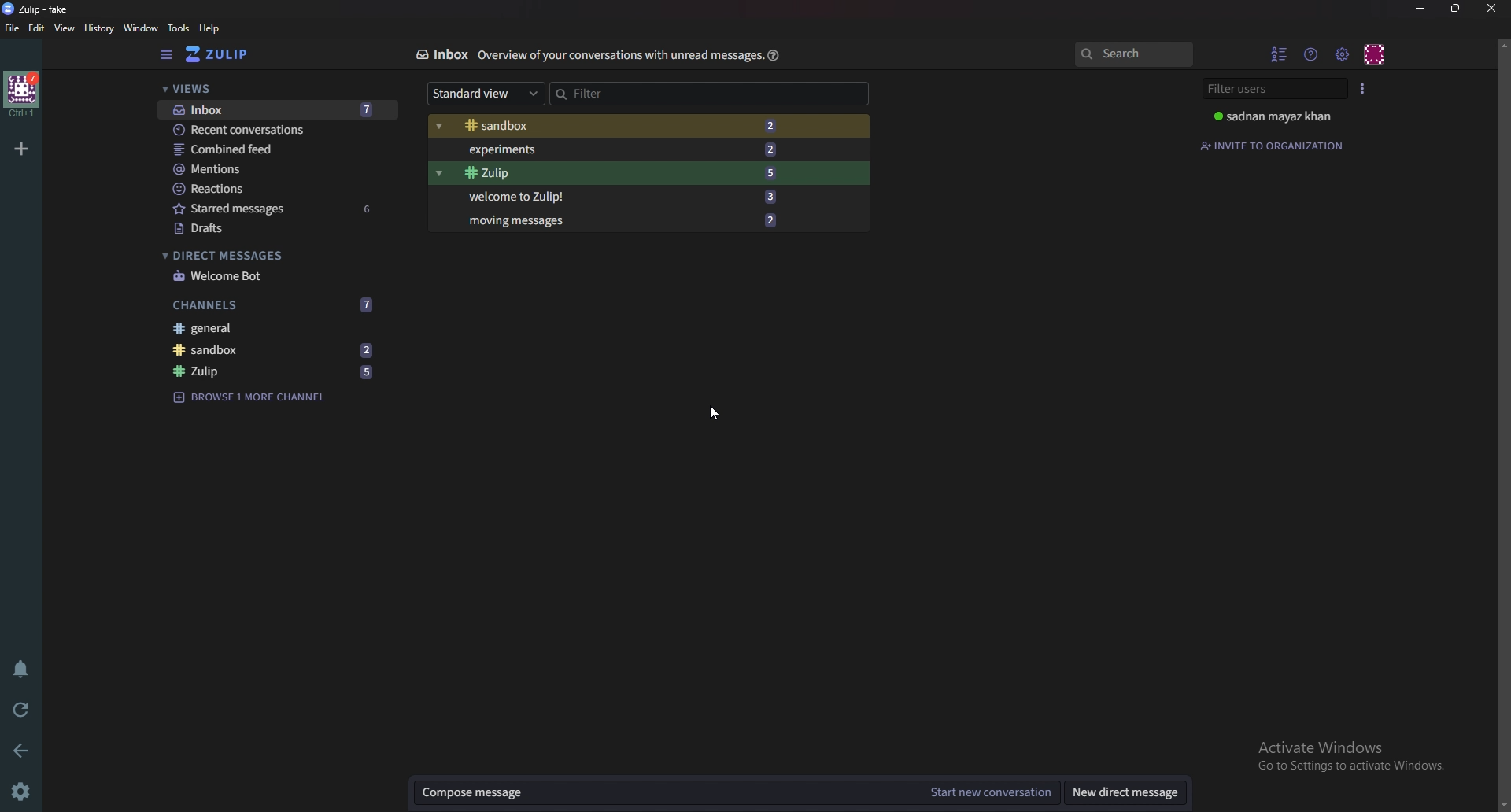  What do you see at coordinates (24, 748) in the screenshot?
I see `back` at bounding box center [24, 748].